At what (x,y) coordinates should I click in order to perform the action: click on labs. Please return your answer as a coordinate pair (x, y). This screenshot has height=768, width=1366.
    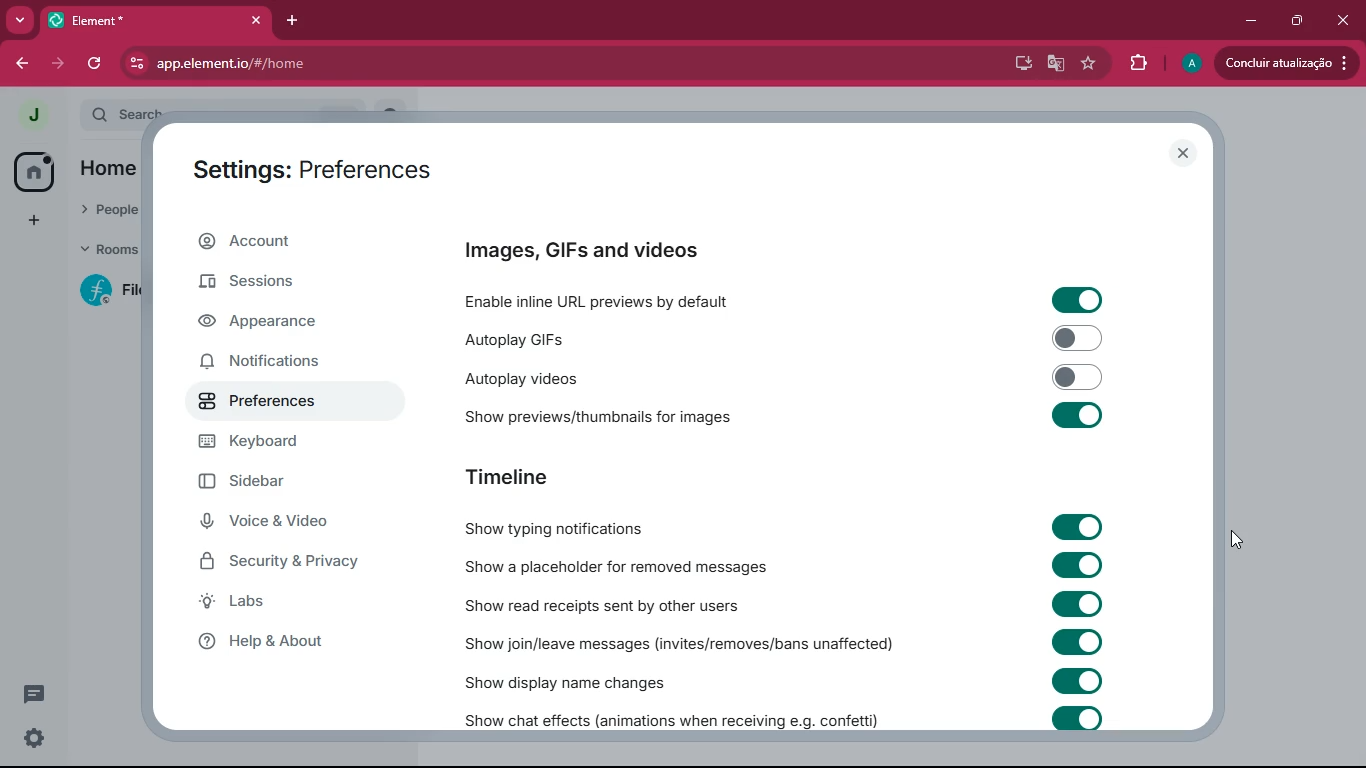
    Looking at the image, I should click on (271, 601).